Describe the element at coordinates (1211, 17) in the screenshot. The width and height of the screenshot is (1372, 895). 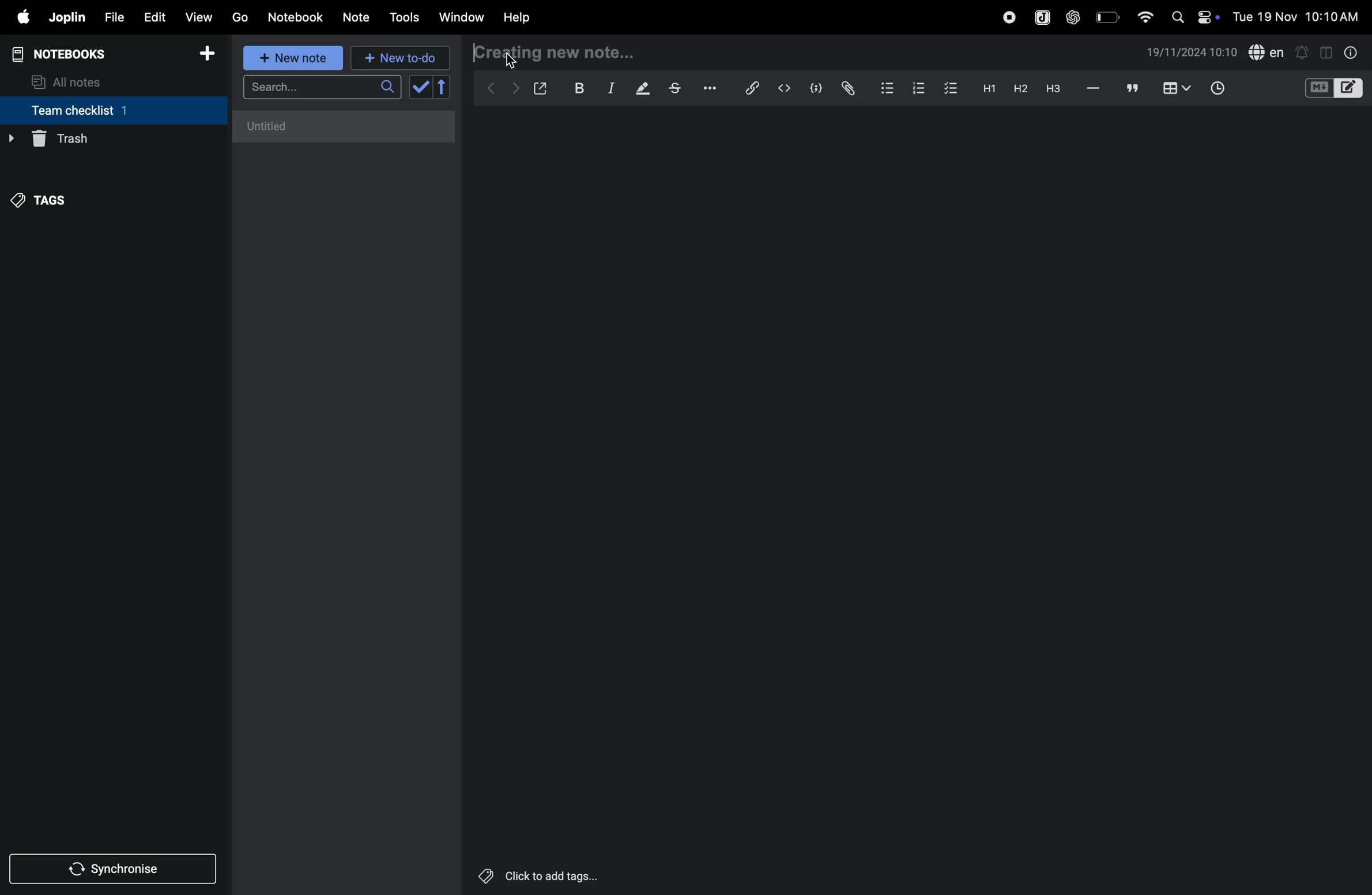
I see `on/off` at that location.